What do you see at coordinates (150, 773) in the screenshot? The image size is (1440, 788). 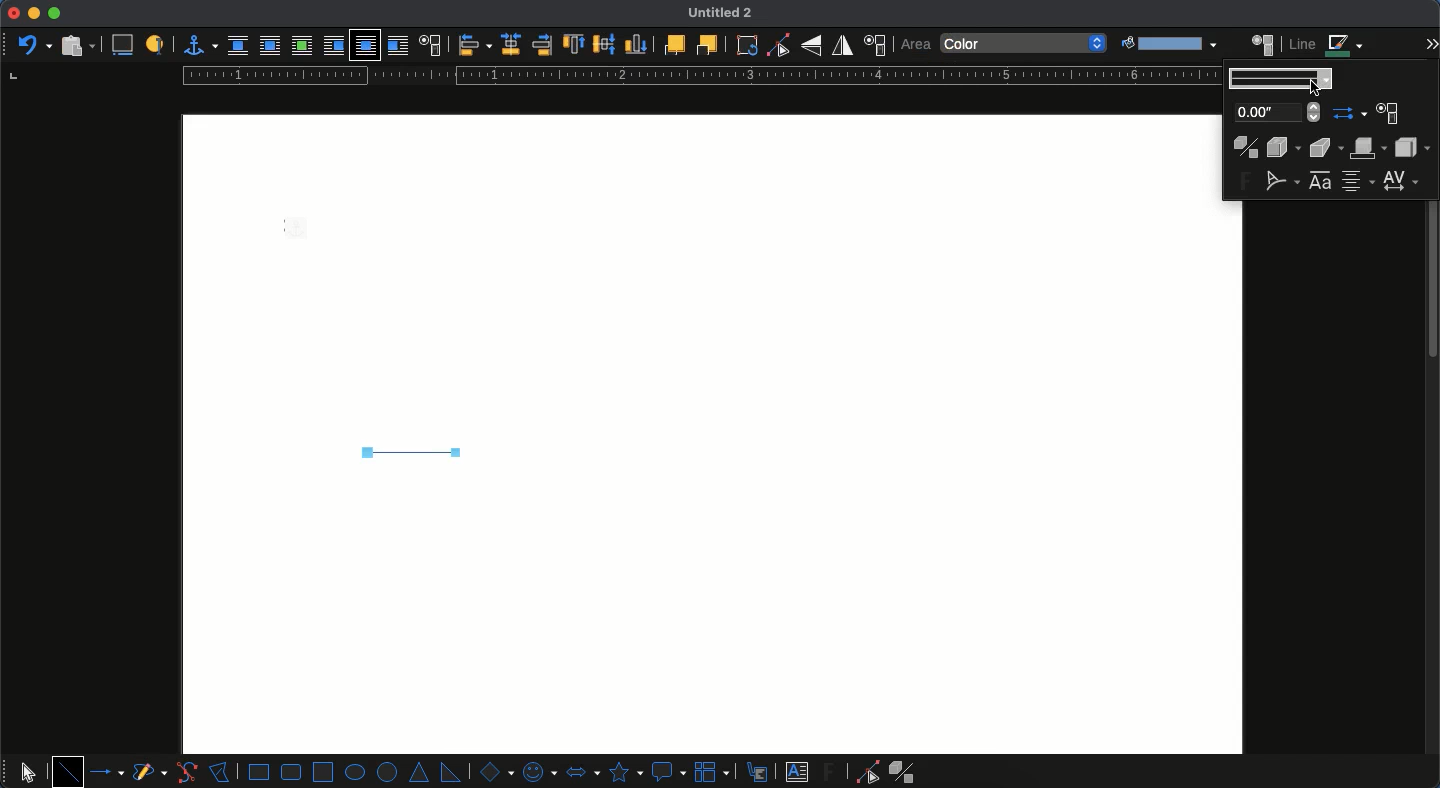 I see `curves and polygons` at bounding box center [150, 773].